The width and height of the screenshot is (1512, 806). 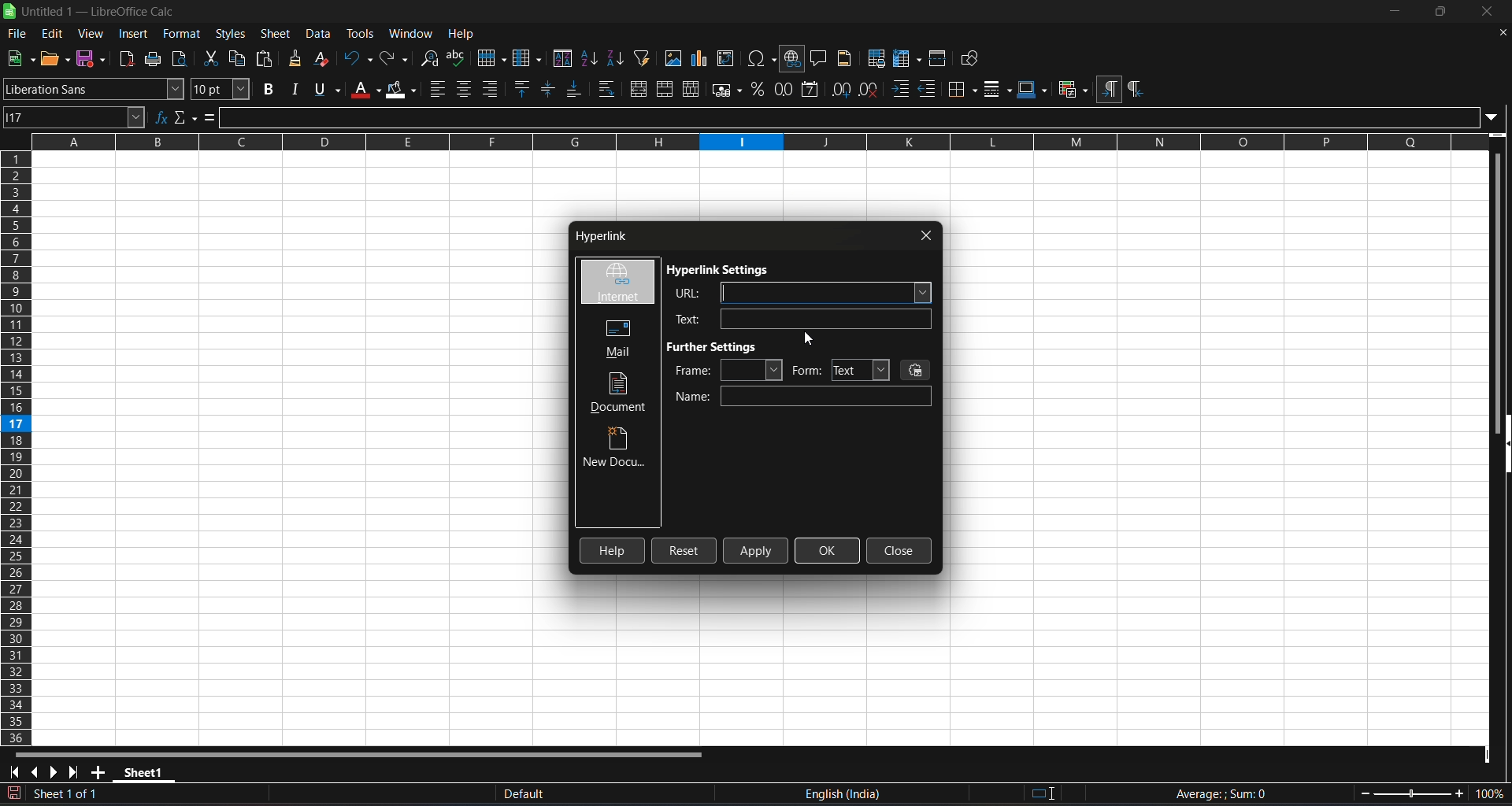 What do you see at coordinates (439, 89) in the screenshot?
I see `align left` at bounding box center [439, 89].